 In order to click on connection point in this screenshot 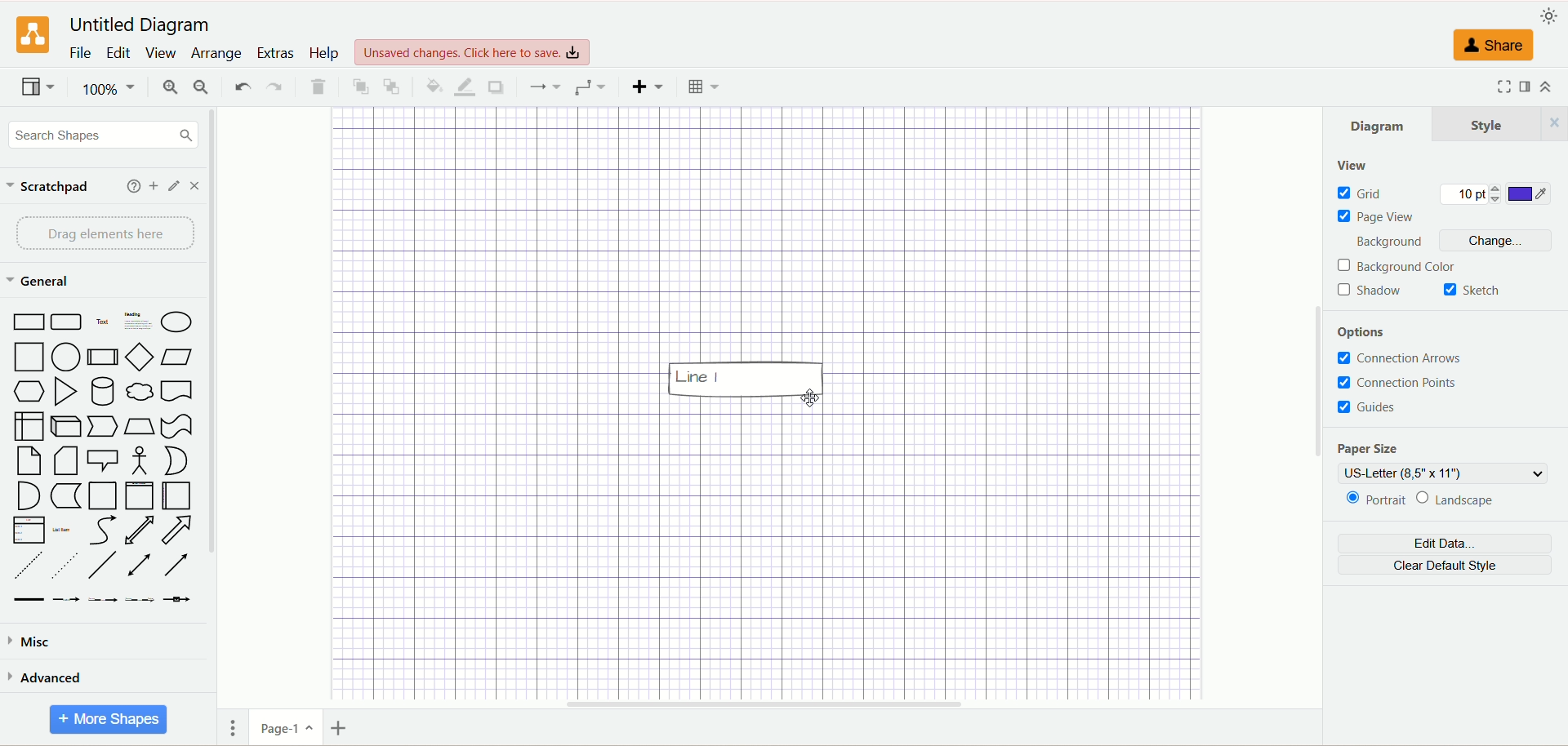, I will do `click(1400, 384)`.